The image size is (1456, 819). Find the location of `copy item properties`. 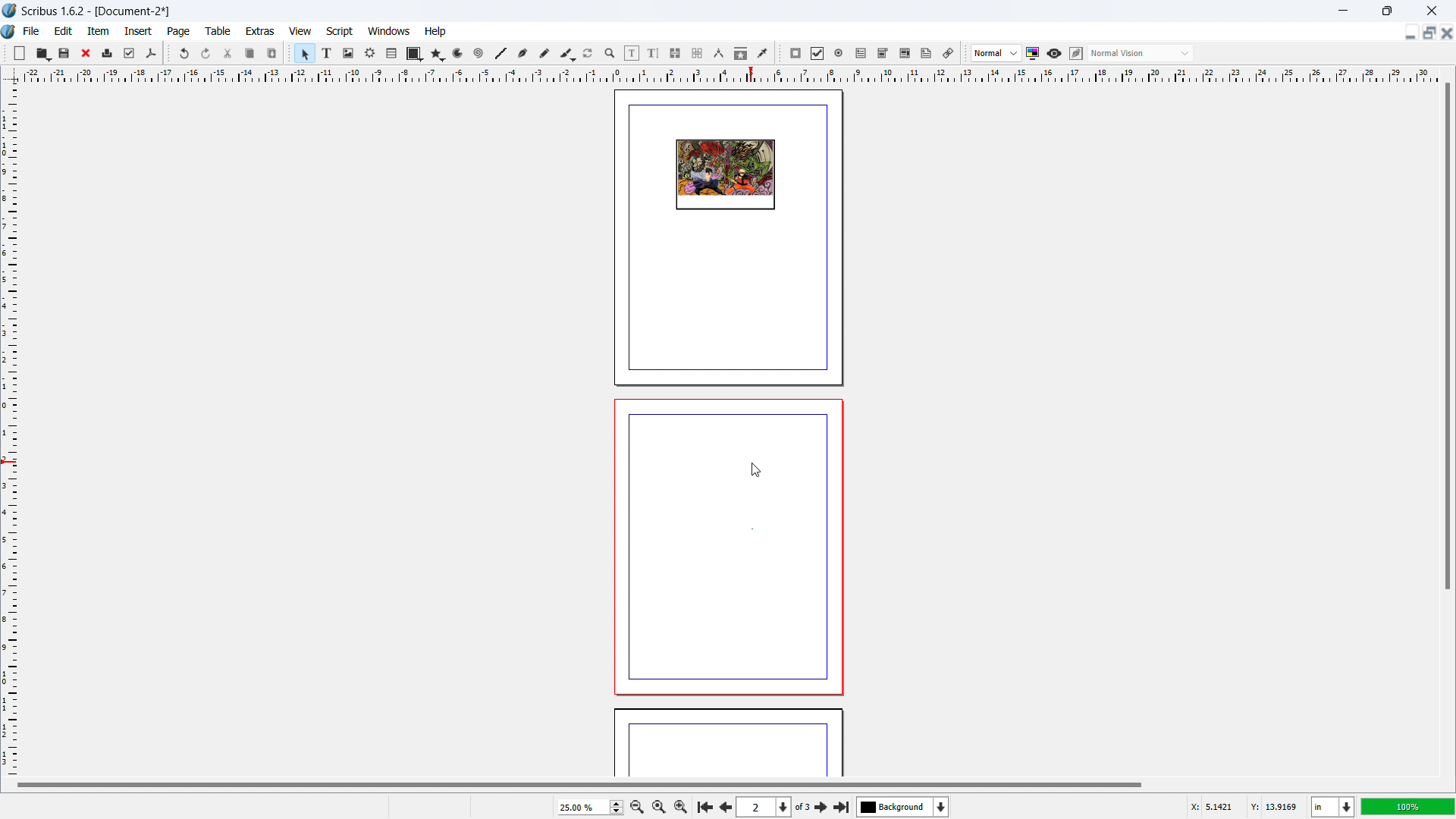

copy item properties is located at coordinates (741, 53).